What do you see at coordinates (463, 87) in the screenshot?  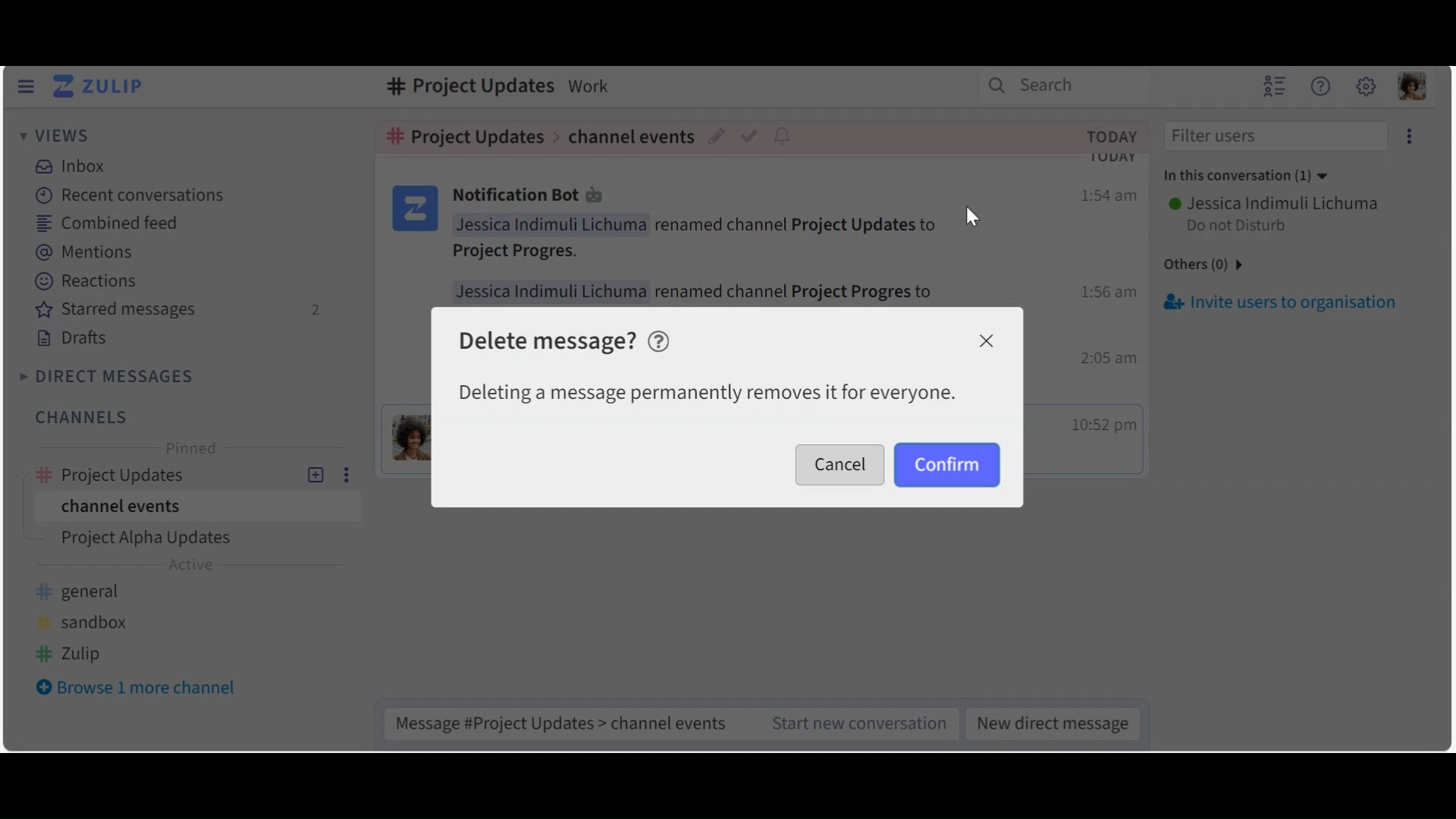 I see `Channel topic` at bounding box center [463, 87].